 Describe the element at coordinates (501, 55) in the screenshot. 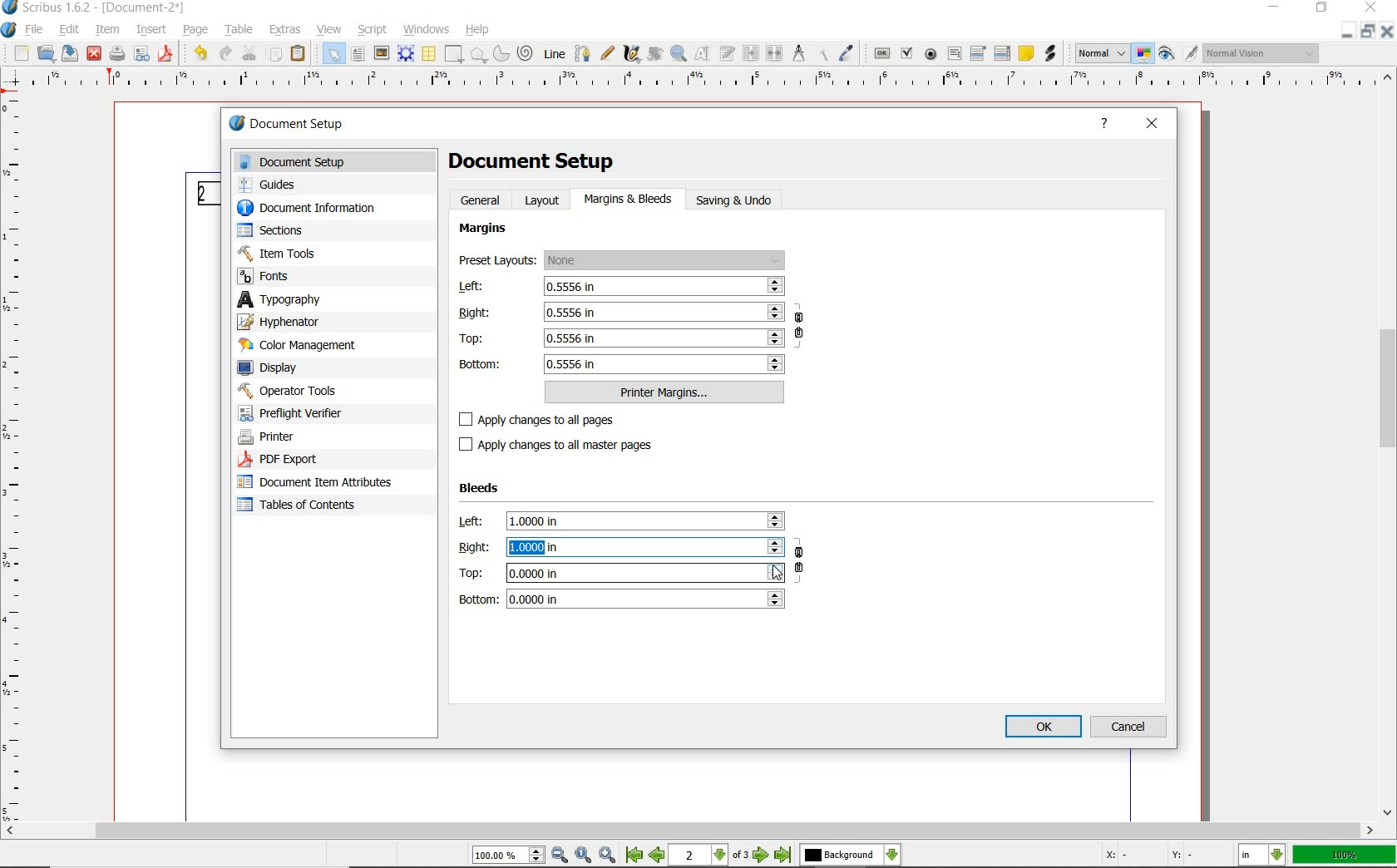

I see `arc` at that location.